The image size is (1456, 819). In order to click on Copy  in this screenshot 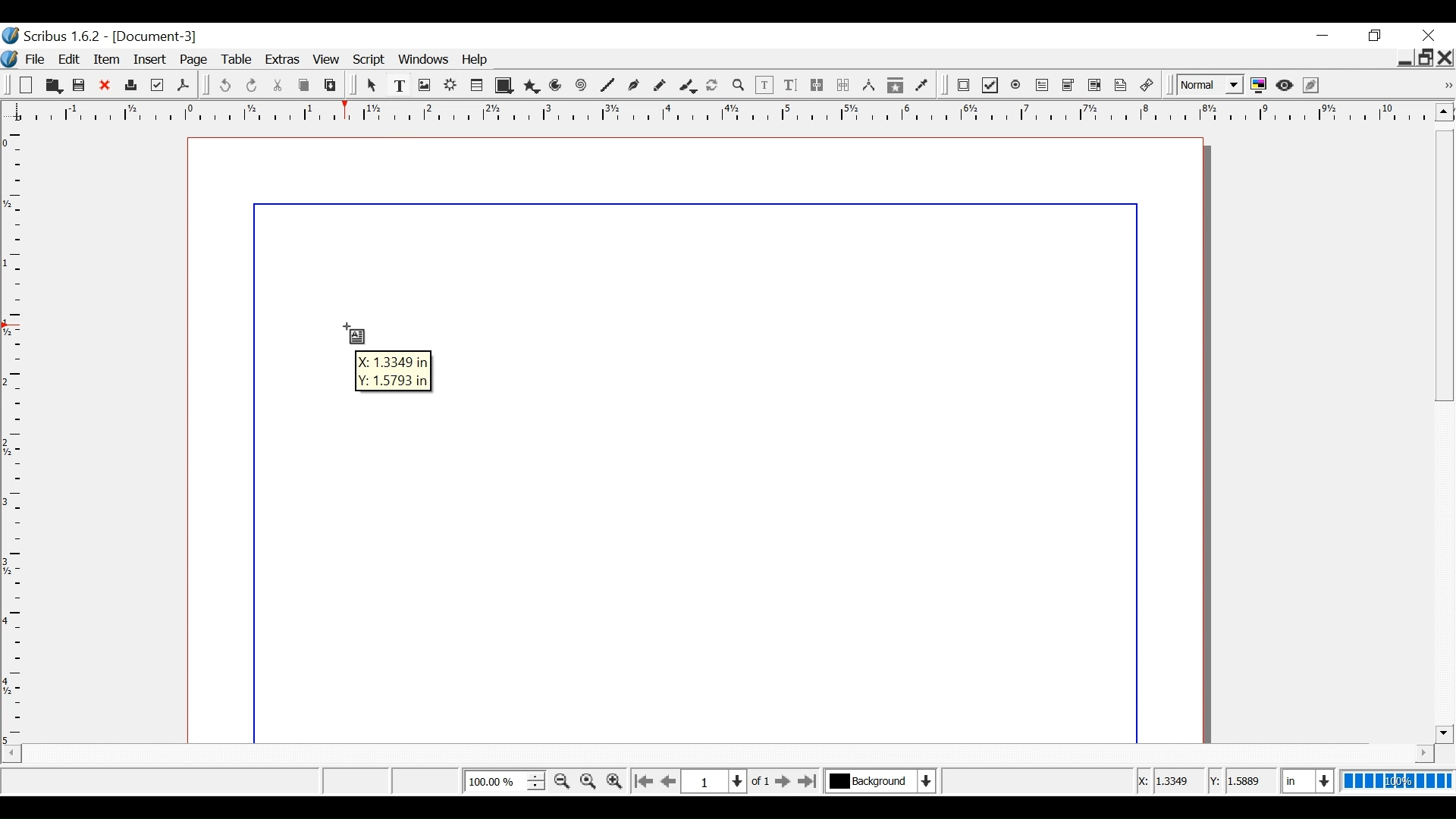, I will do `click(306, 83)`.